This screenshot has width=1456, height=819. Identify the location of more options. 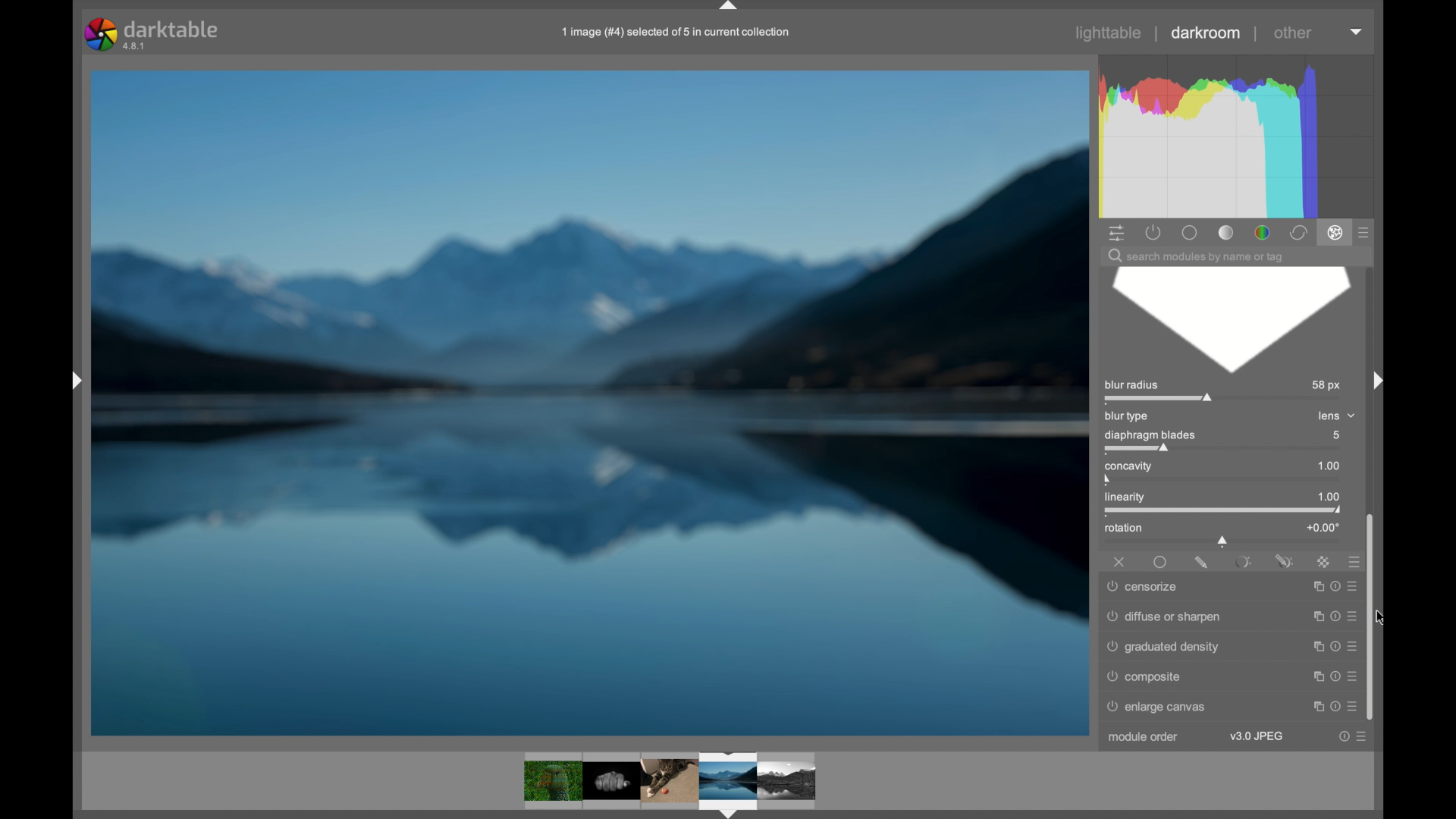
(1354, 702).